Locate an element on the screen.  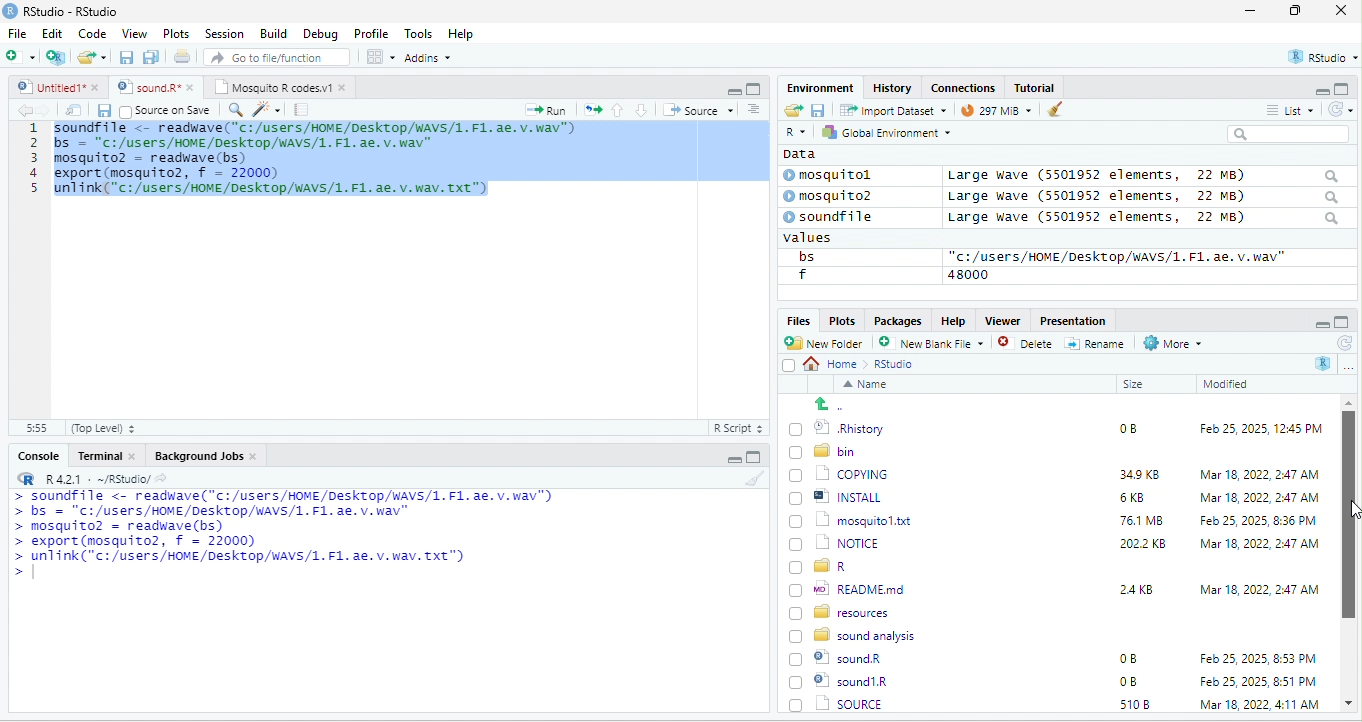
[) = R is located at coordinates (830, 567).